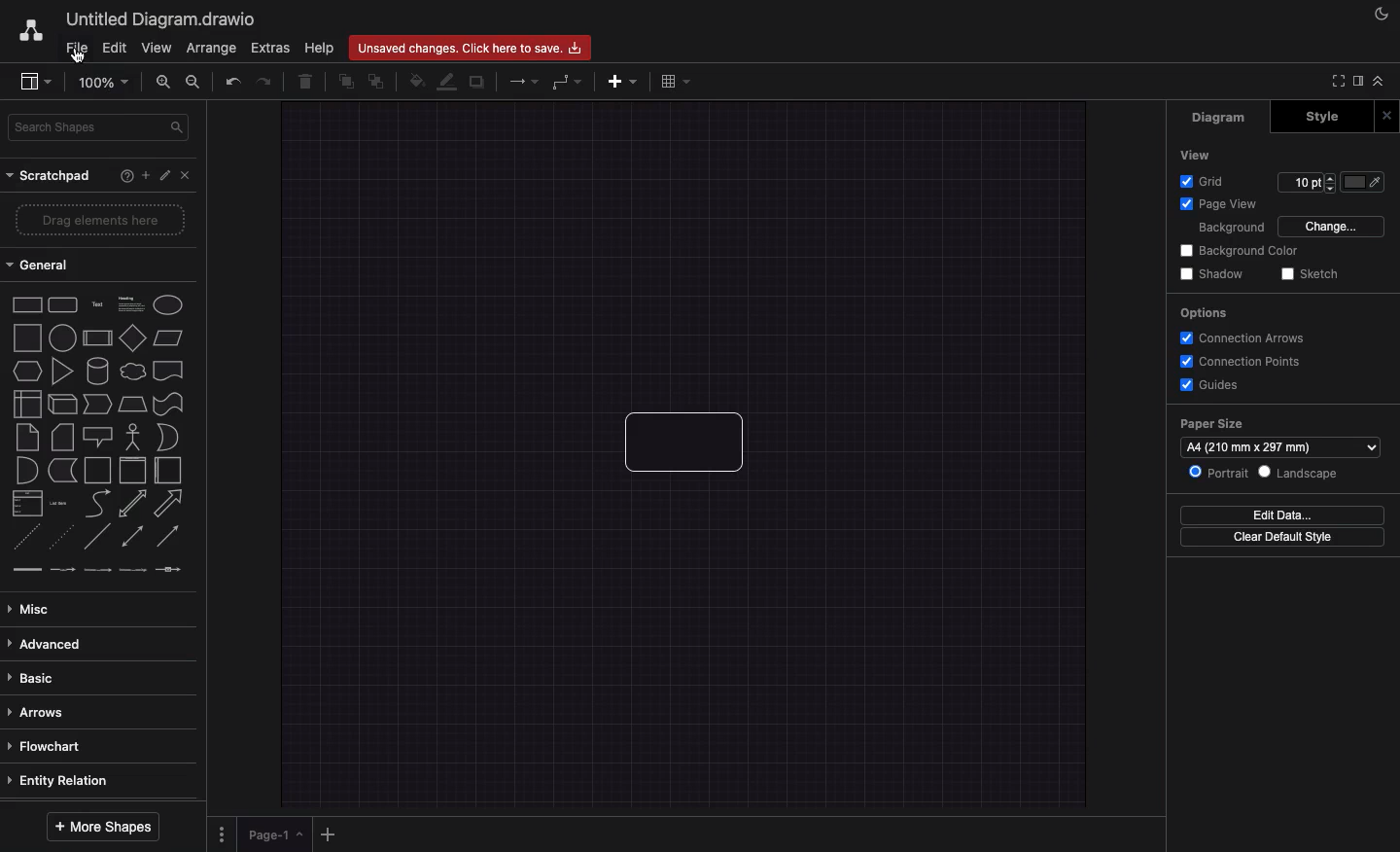 The image size is (1400, 852). What do you see at coordinates (620, 83) in the screenshot?
I see `Insert` at bounding box center [620, 83].